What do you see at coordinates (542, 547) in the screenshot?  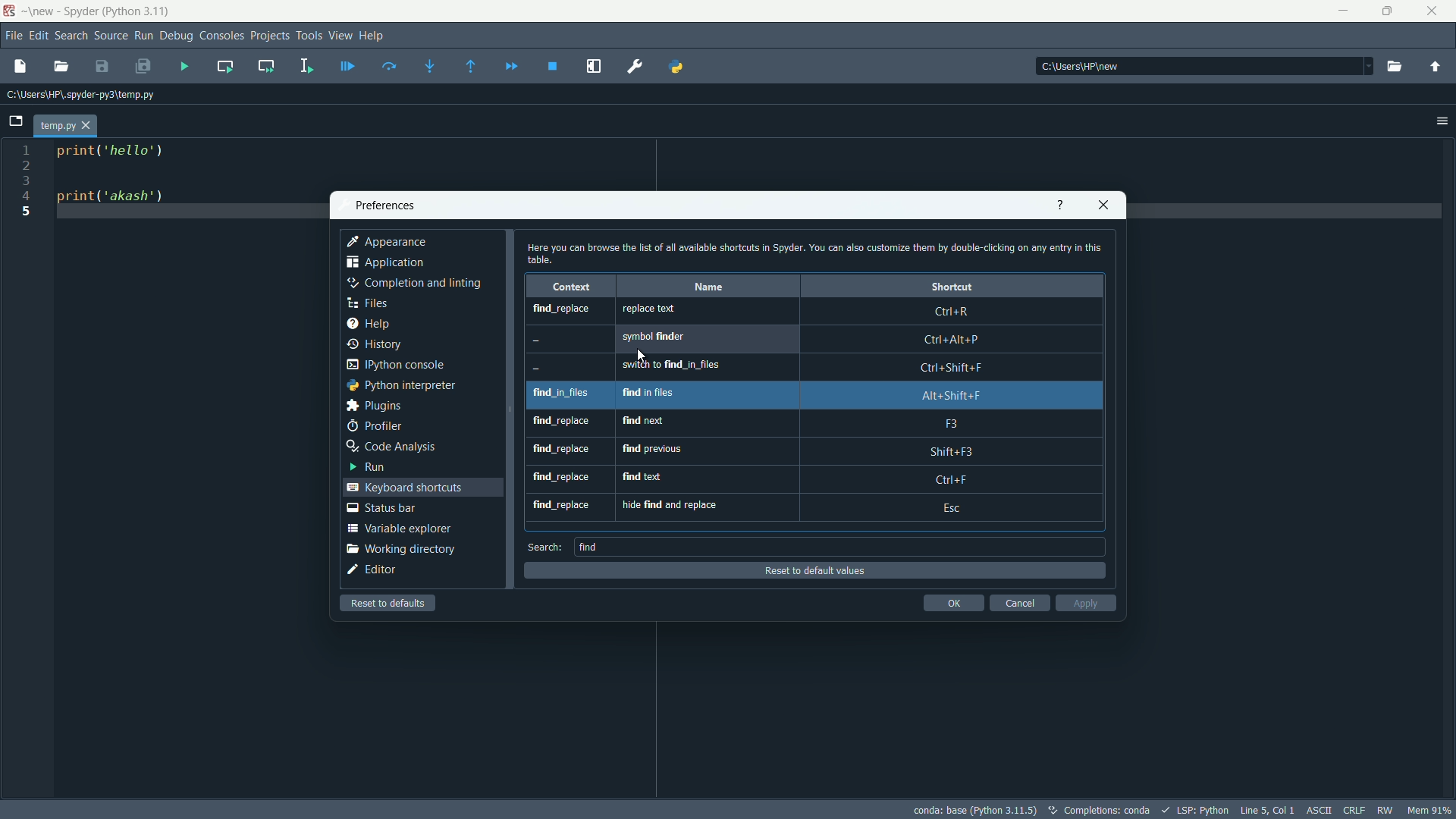 I see `search:` at bounding box center [542, 547].